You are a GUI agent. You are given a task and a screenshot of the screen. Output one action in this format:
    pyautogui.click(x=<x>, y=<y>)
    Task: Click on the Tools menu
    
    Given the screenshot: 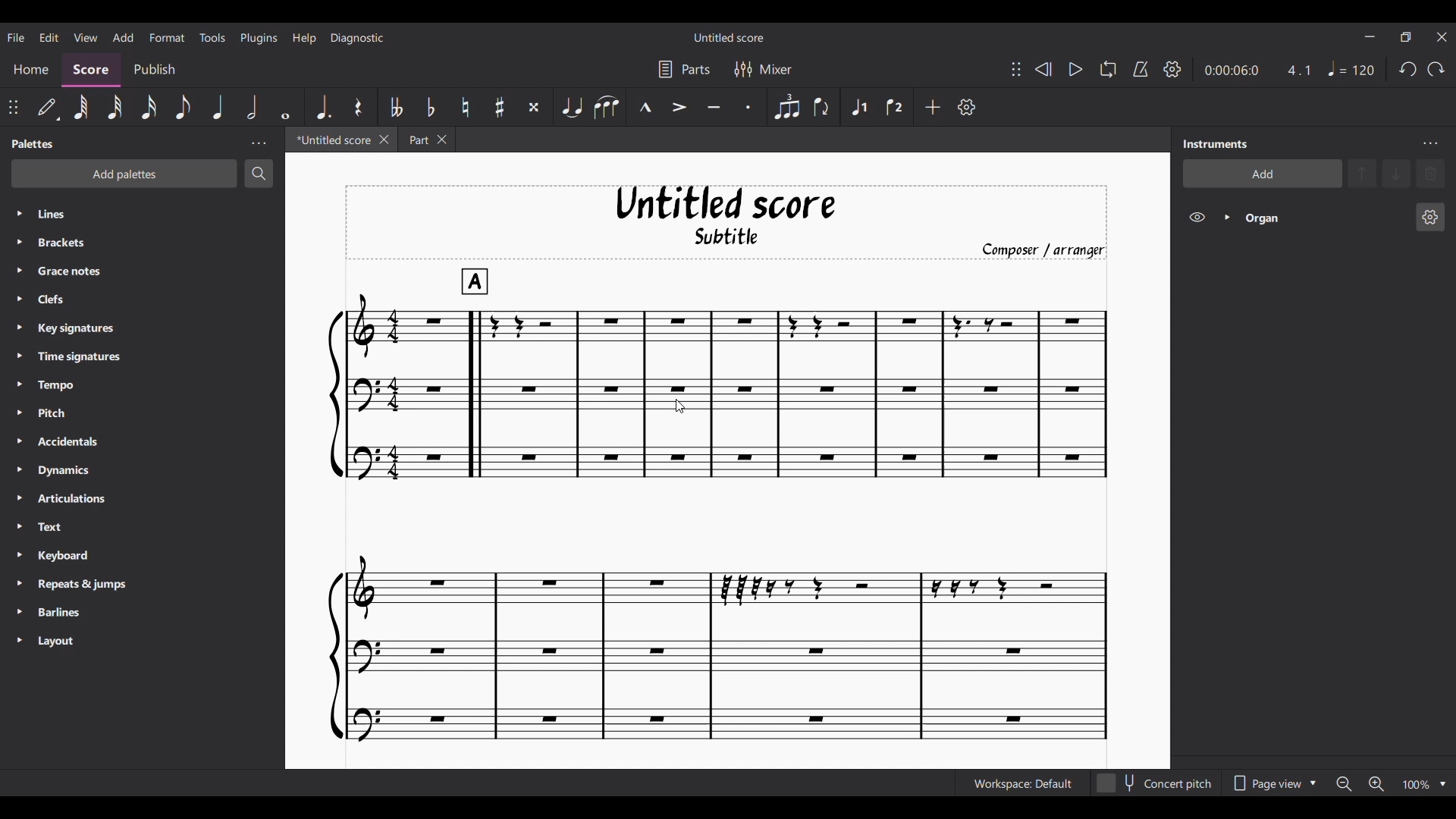 What is the action you would take?
    pyautogui.click(x=212, y=36)
    